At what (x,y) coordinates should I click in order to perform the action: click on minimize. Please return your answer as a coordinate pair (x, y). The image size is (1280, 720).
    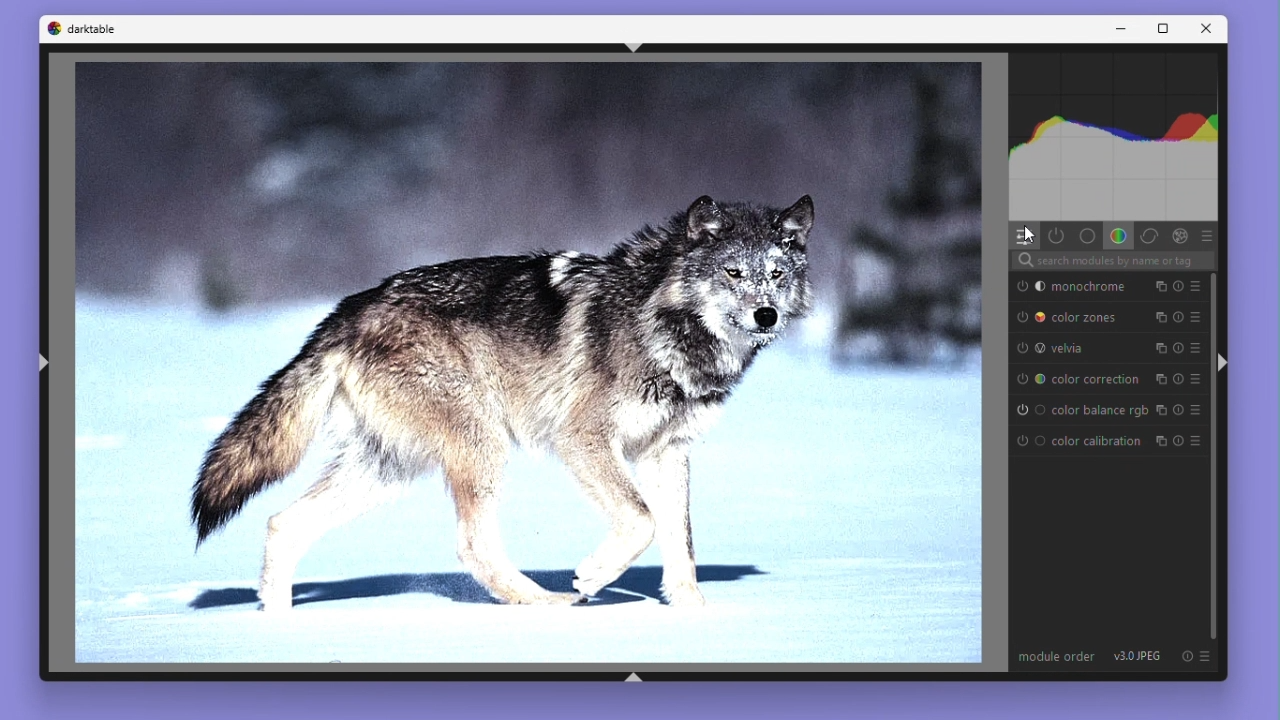
    Looking at the image, I should click on (1120, 28).